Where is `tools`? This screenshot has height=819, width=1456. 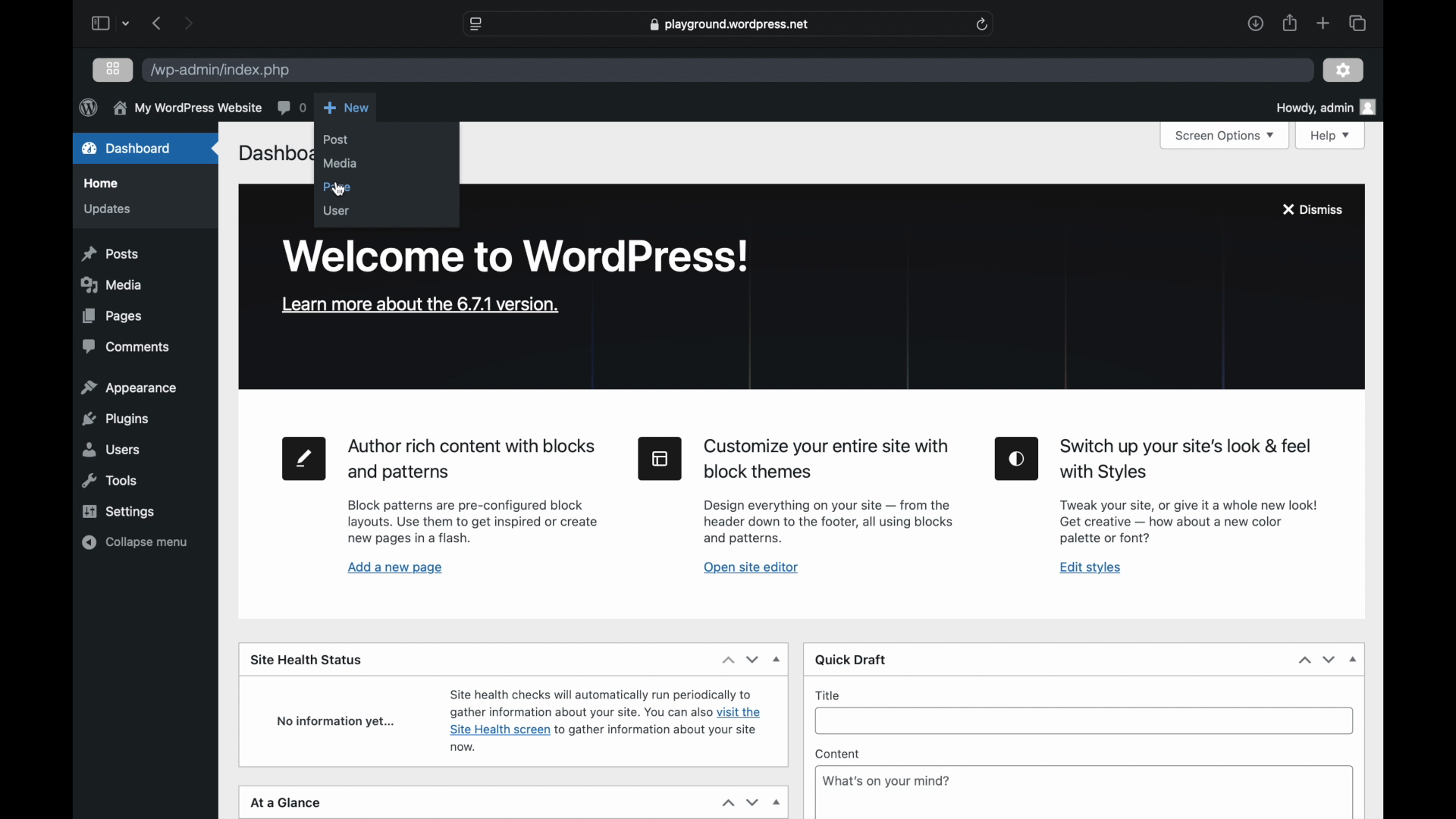
tools is located at coordinates (108, 482).